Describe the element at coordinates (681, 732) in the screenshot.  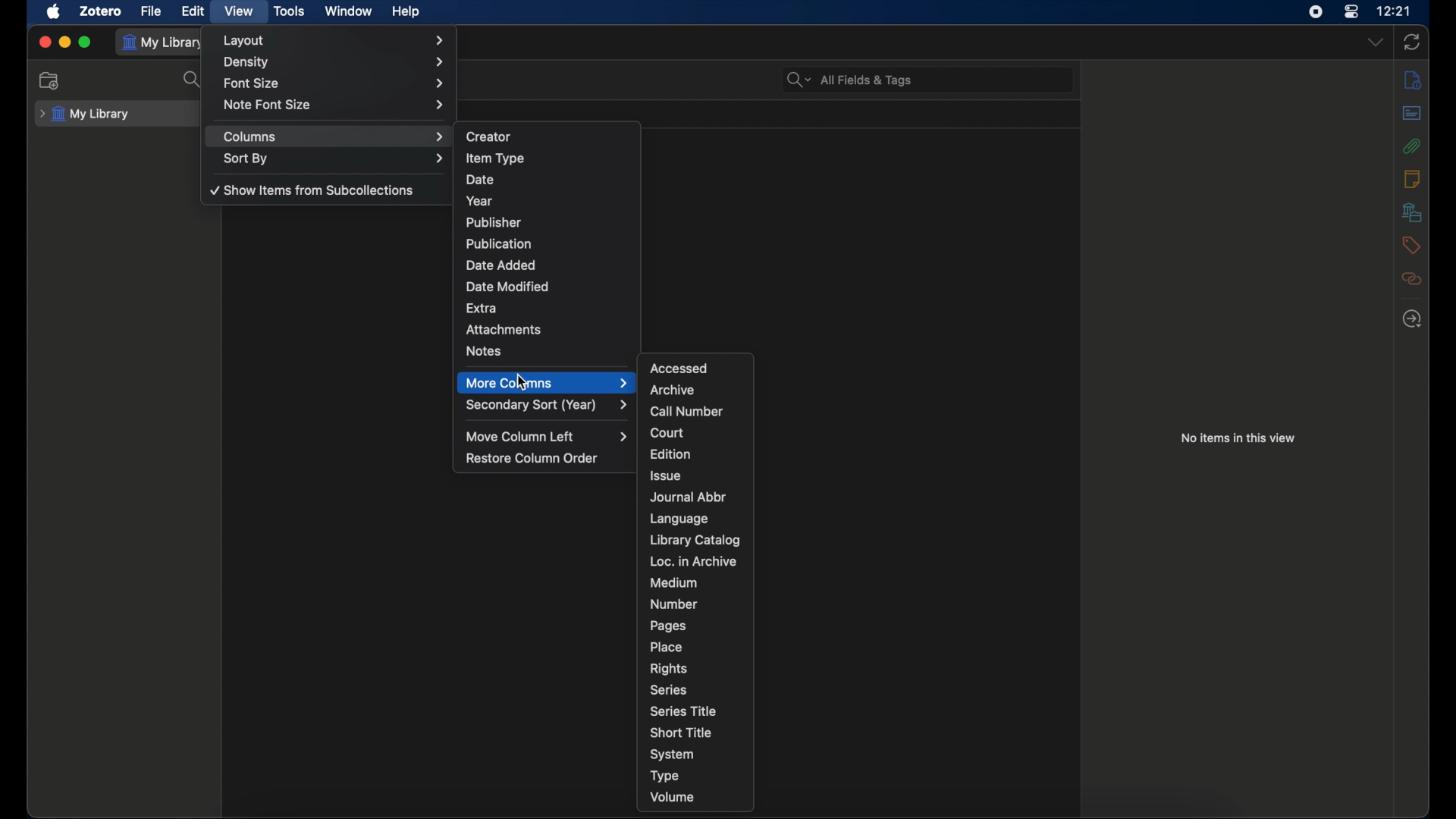
I see `short title` at that location.